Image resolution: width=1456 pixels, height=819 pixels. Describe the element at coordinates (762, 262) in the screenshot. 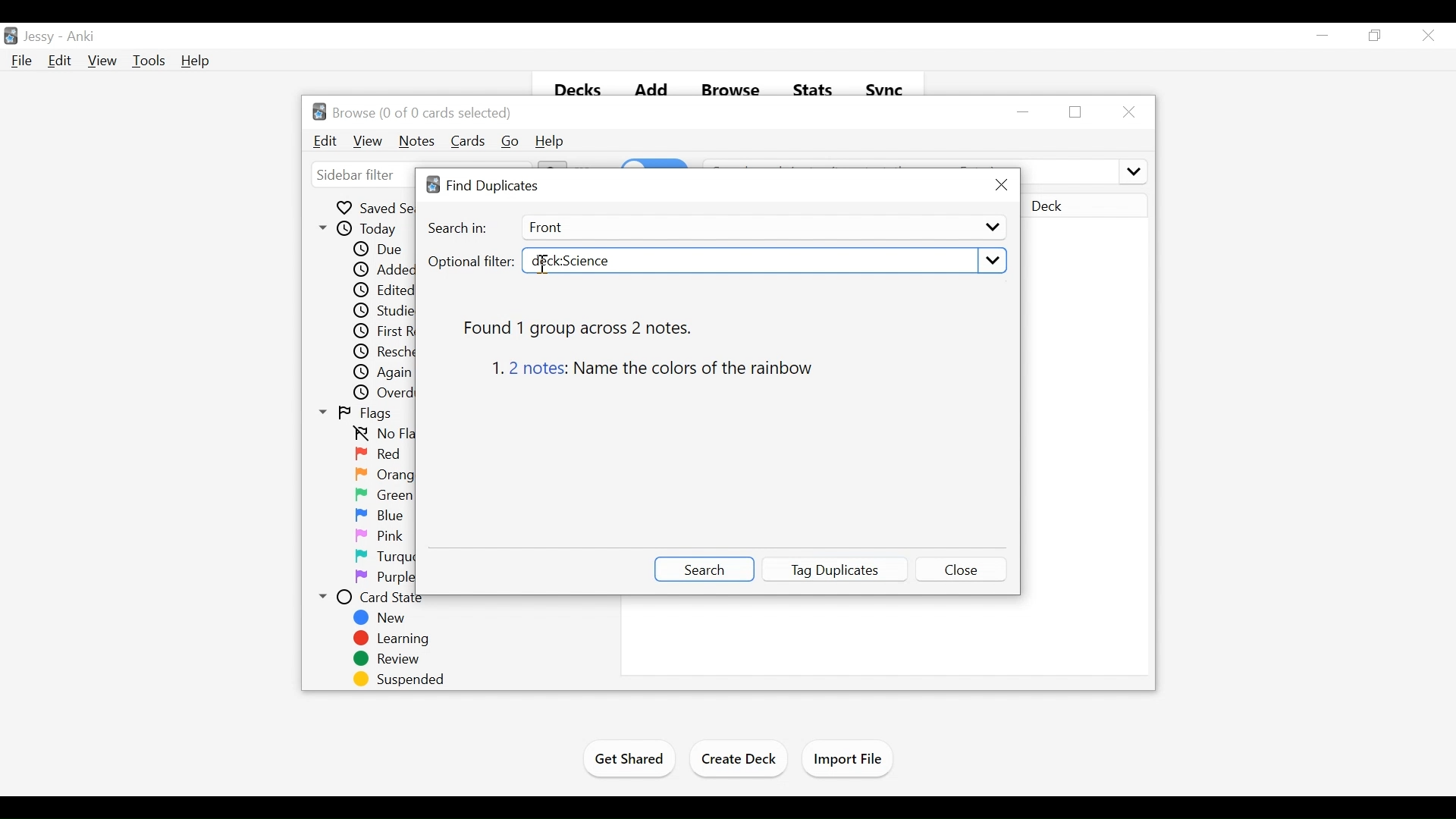

I see `Select Optional Filter` at that location.